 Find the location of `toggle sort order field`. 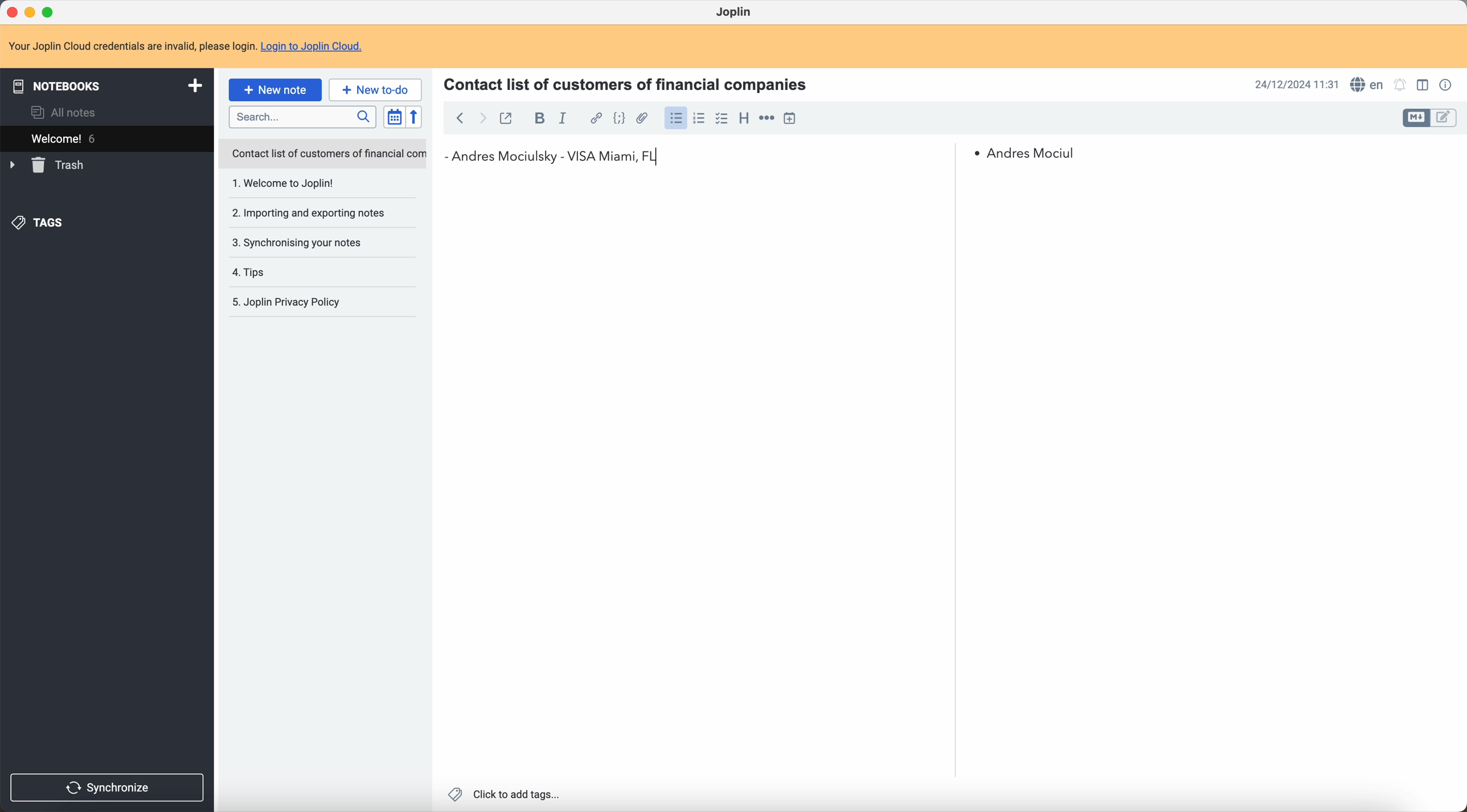

toggle sort order field is located at coordinates (392, 117).